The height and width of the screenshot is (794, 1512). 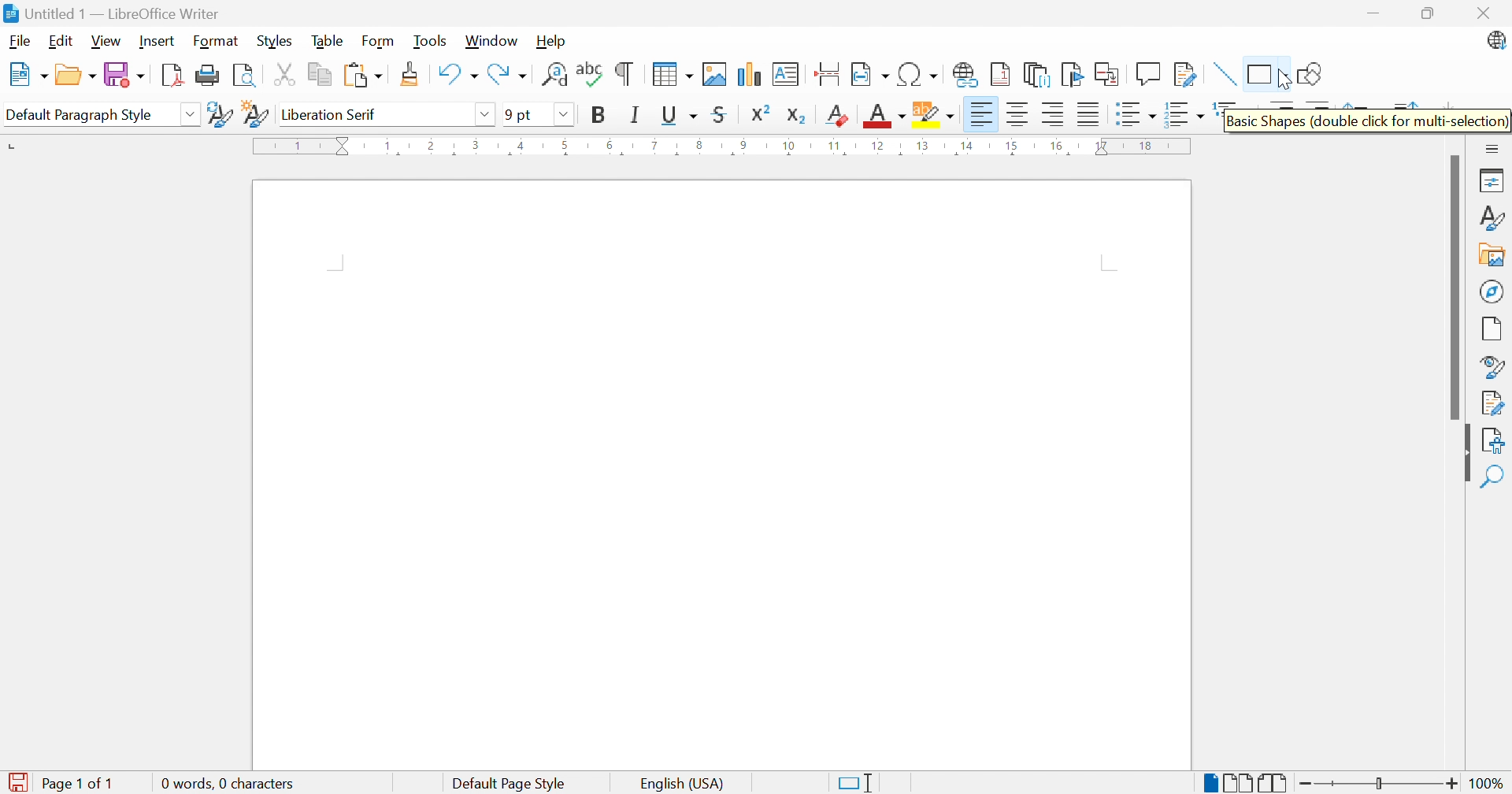 I want to click on Font color, so click(x=886, y=114).